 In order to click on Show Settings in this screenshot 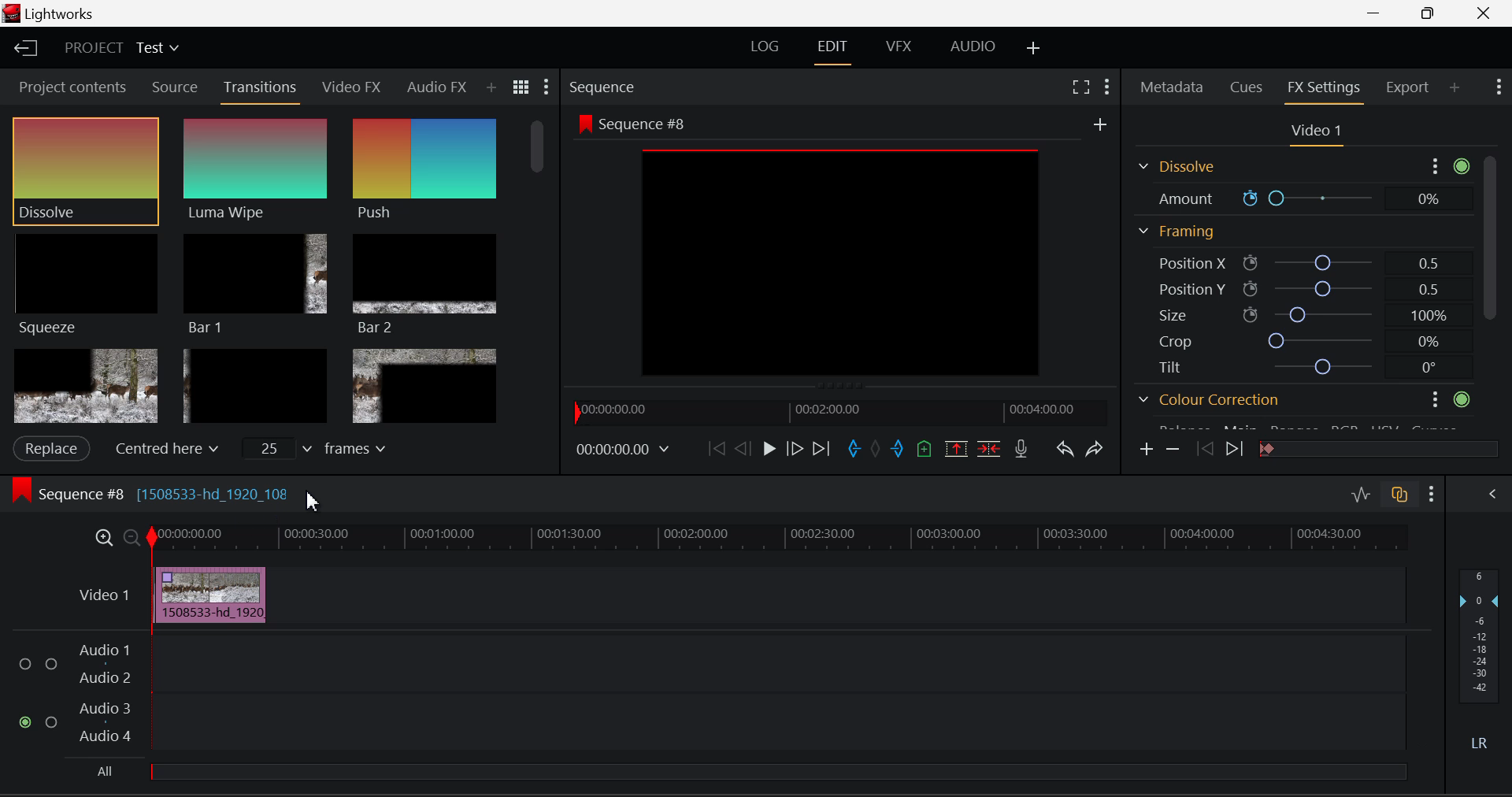, I will do `click(547, 87)`.